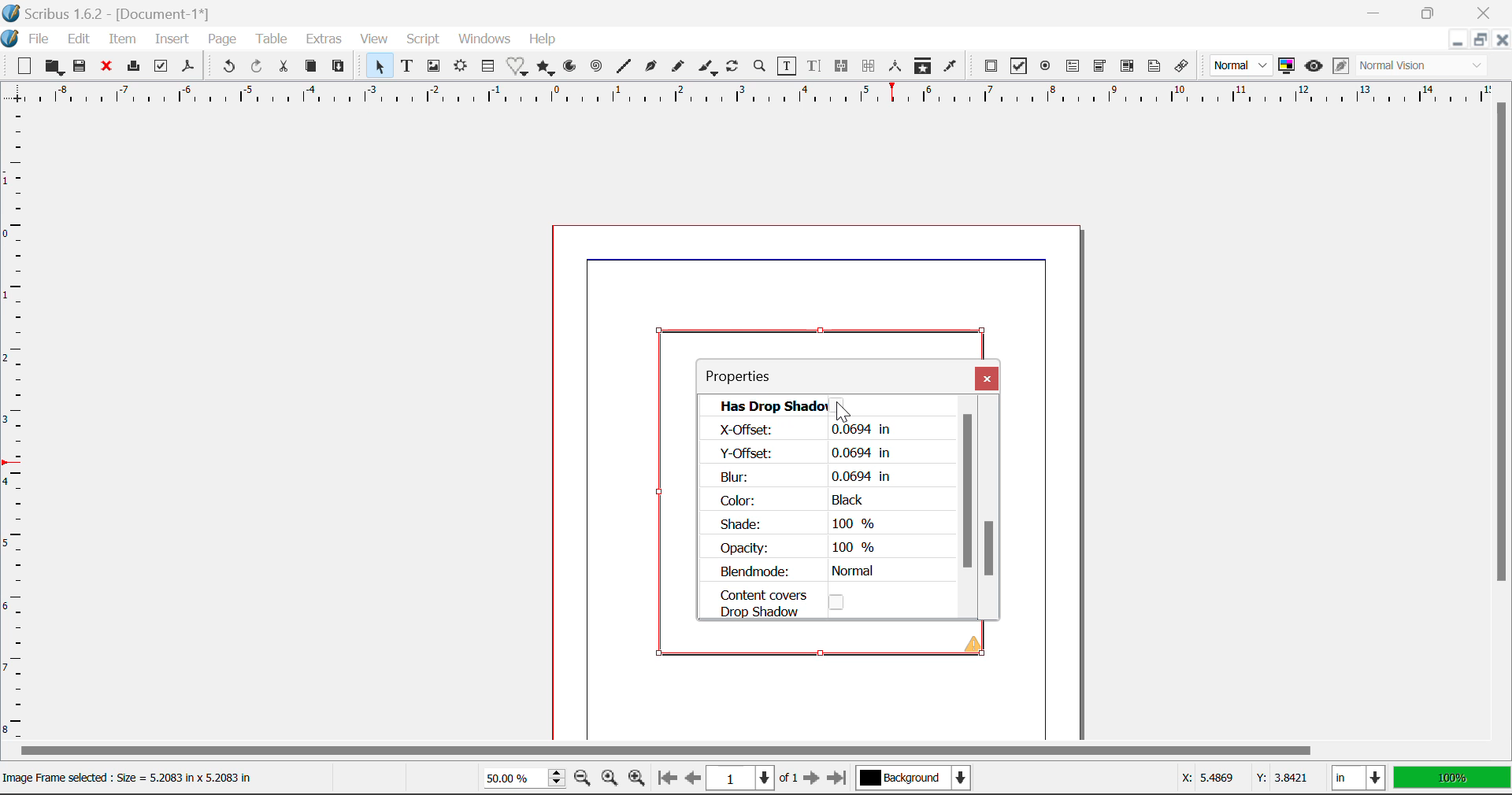 This screenshot has height=795, width=1512. What do you see at coordinates (171, 39) in the screenshot?
I see `Insert` at bounding box center [171, 39].